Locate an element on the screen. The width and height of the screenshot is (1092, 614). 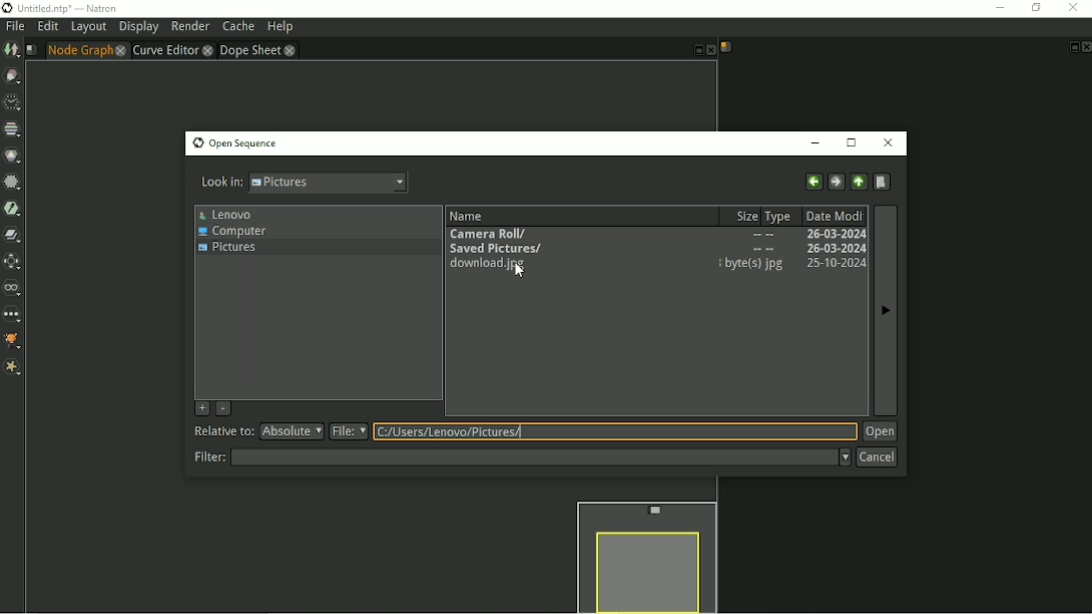
Next is located at coordinates (886, 317).